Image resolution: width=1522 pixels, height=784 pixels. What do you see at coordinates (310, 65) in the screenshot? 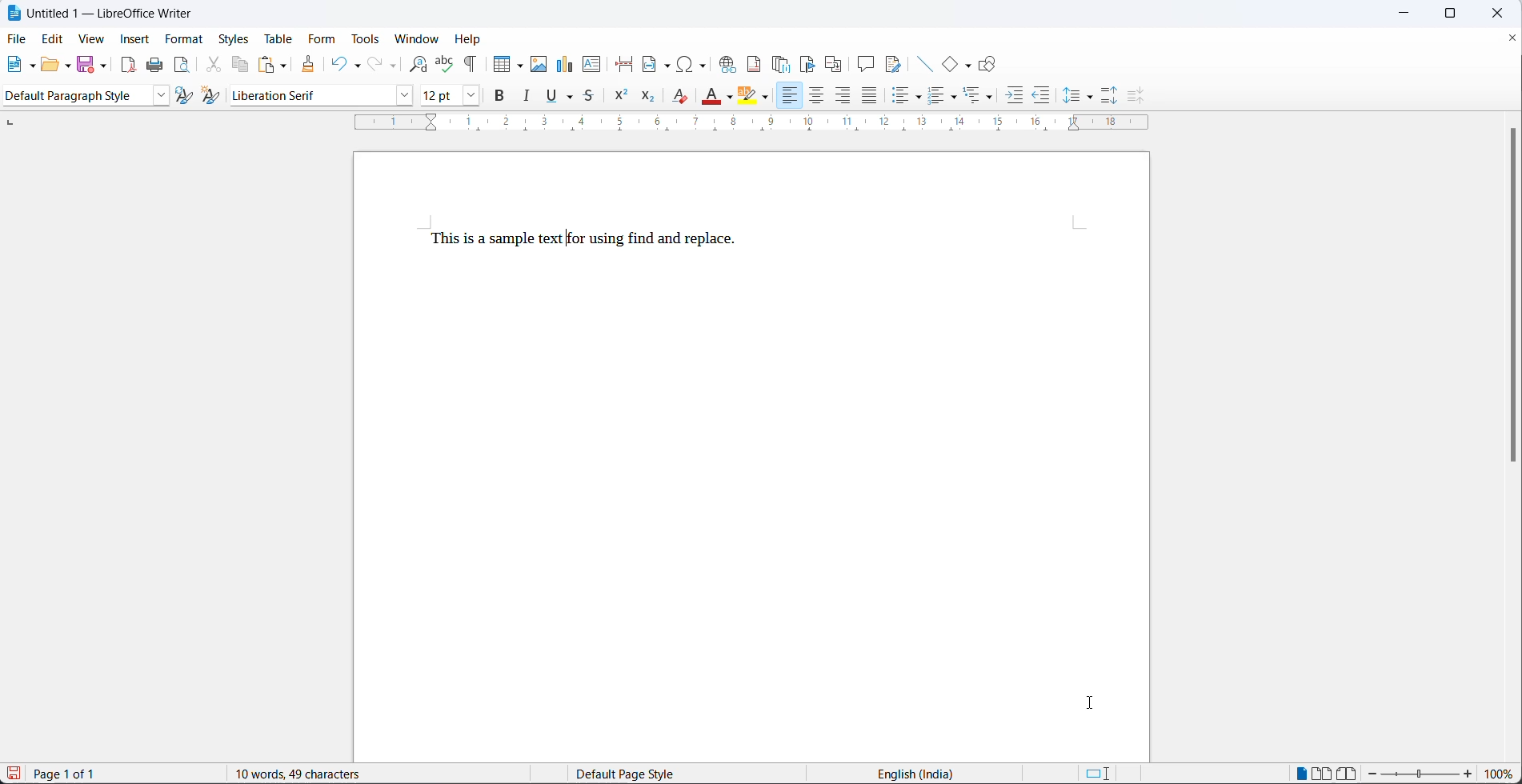
I see `clone formatting` at bounding box center [310, 65].